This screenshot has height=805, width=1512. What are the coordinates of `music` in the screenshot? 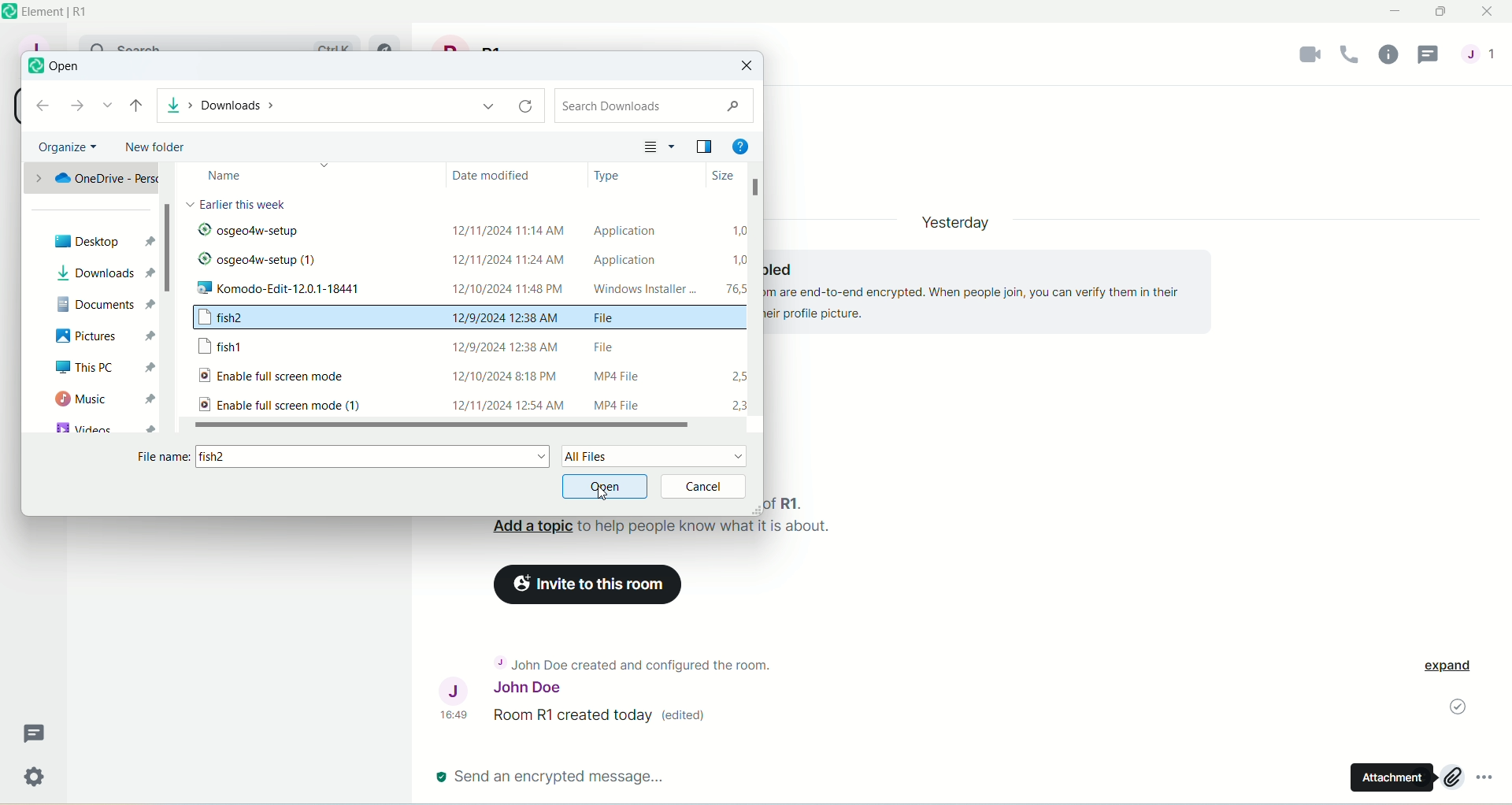 It's located at (102, 402).